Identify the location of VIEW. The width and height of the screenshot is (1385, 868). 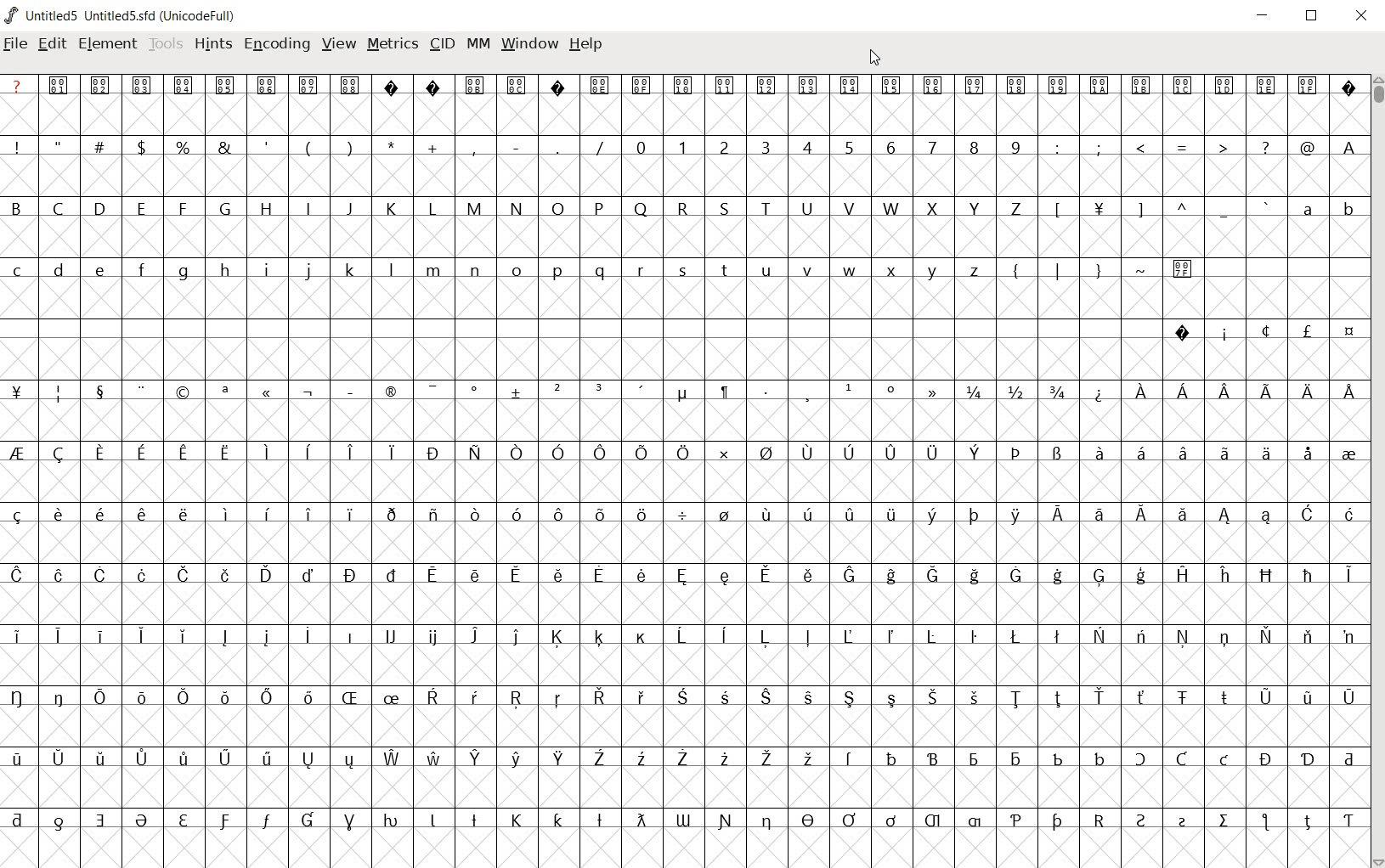
(338, 42).